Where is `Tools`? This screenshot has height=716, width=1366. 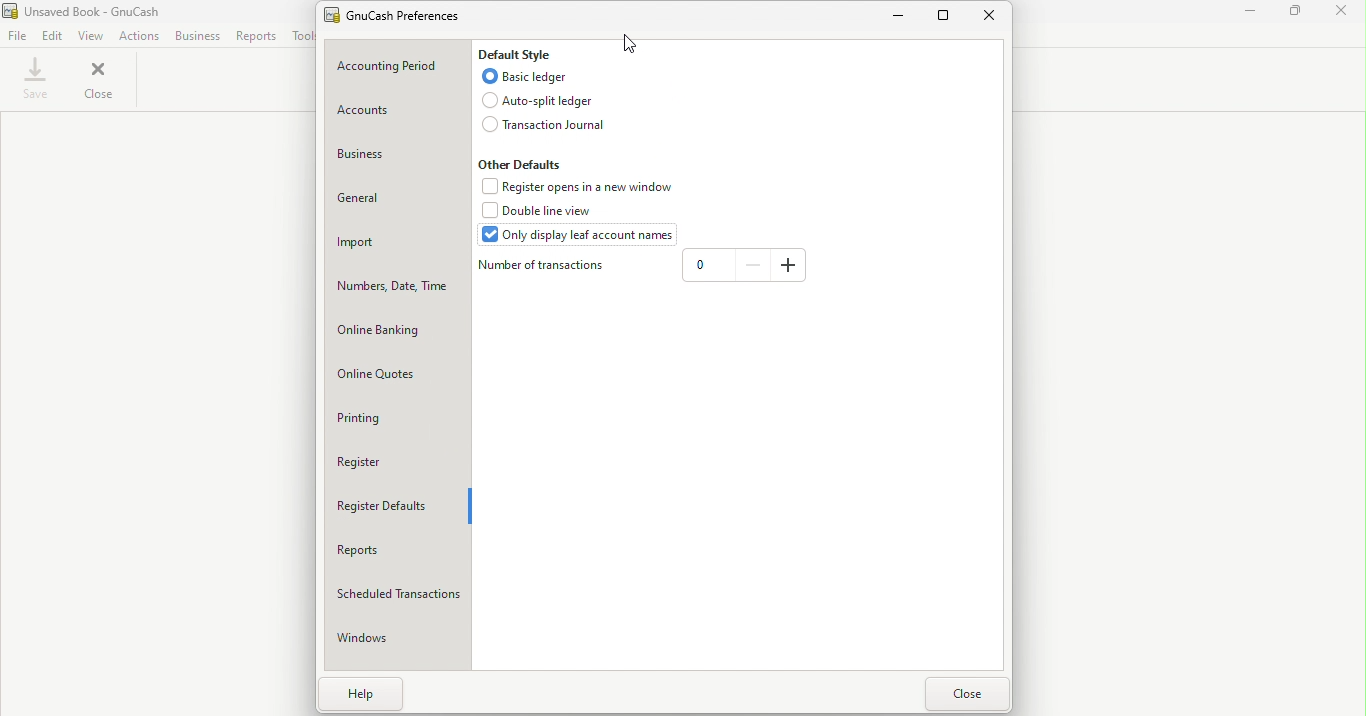 Tools is located at coordinates (300, 36).